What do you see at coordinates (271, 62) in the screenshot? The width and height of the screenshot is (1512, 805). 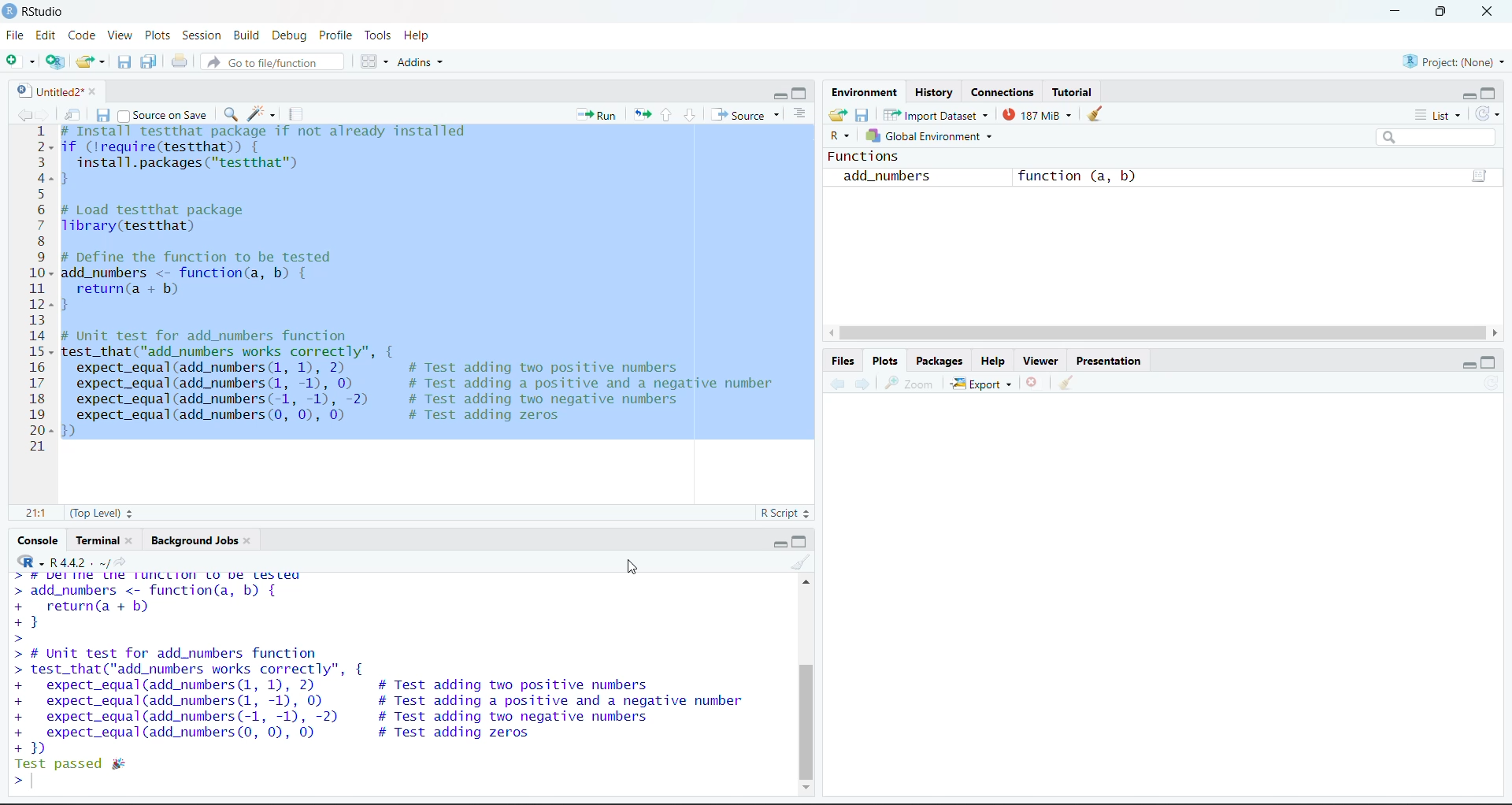 I see `go to file/function` at bounding box center [271, 62].